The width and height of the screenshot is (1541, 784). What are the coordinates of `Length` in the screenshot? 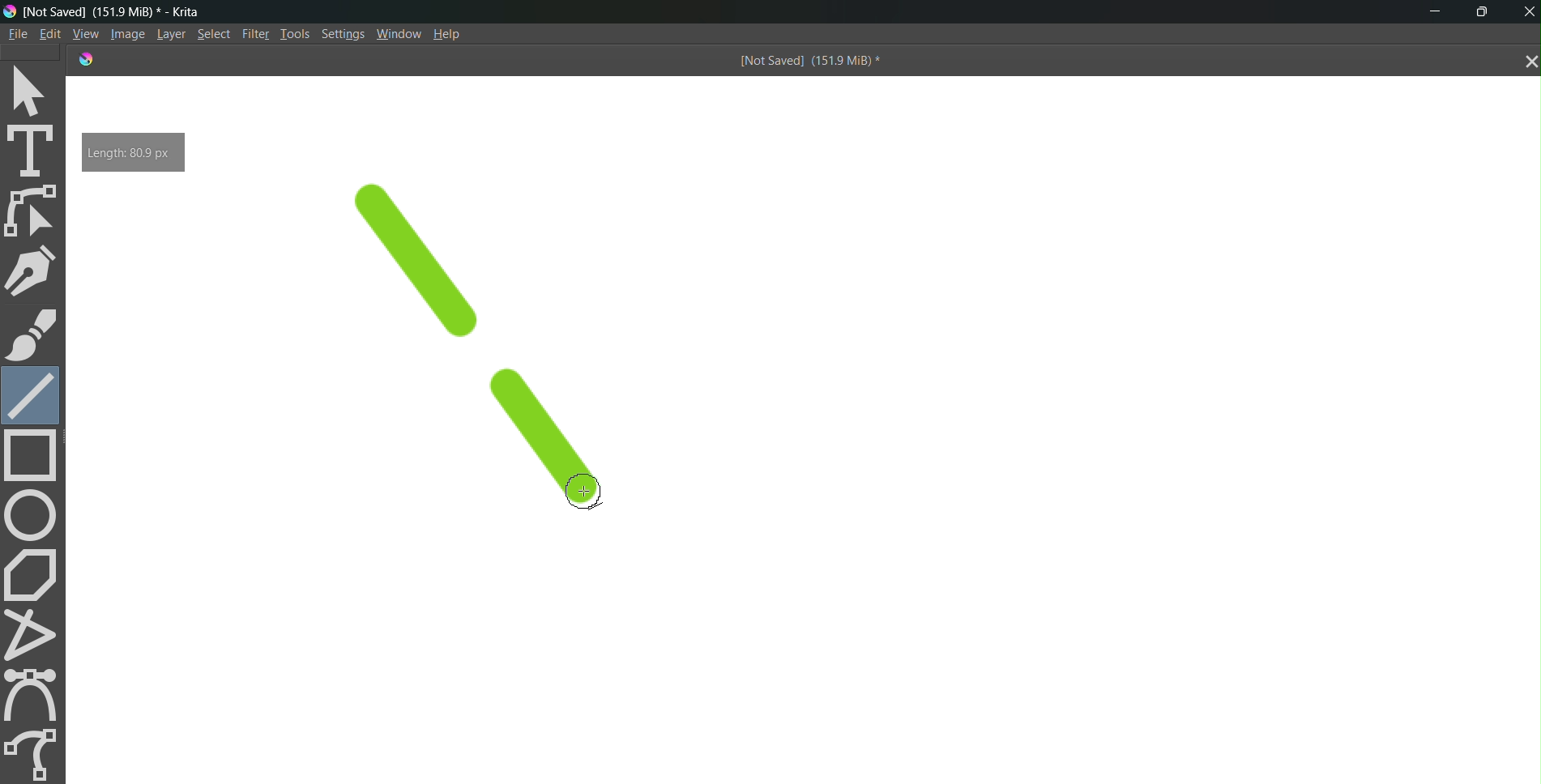 It's located at (142, 153).